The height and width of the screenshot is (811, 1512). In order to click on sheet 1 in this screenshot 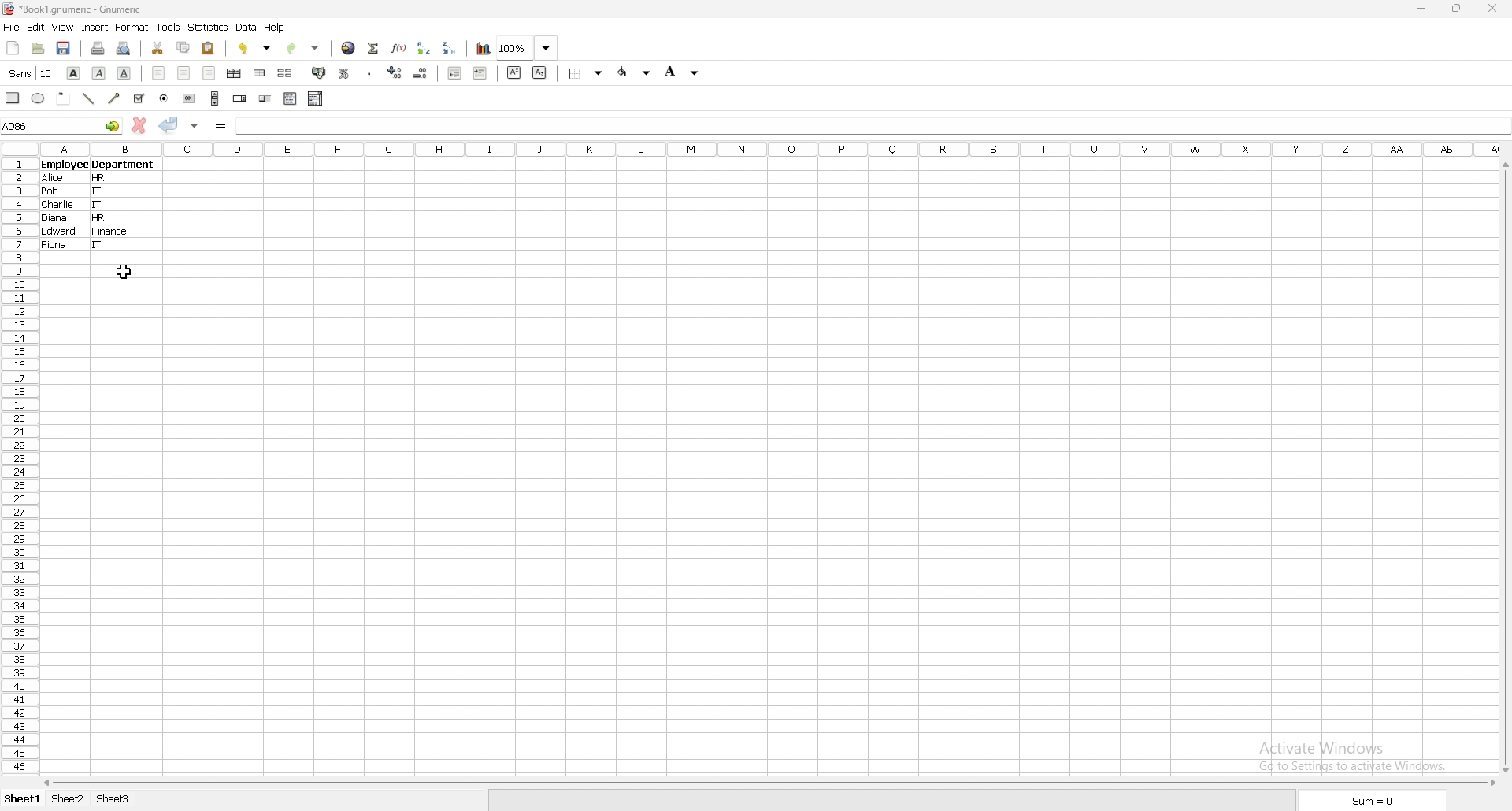, I will do `click(23, 798)`.